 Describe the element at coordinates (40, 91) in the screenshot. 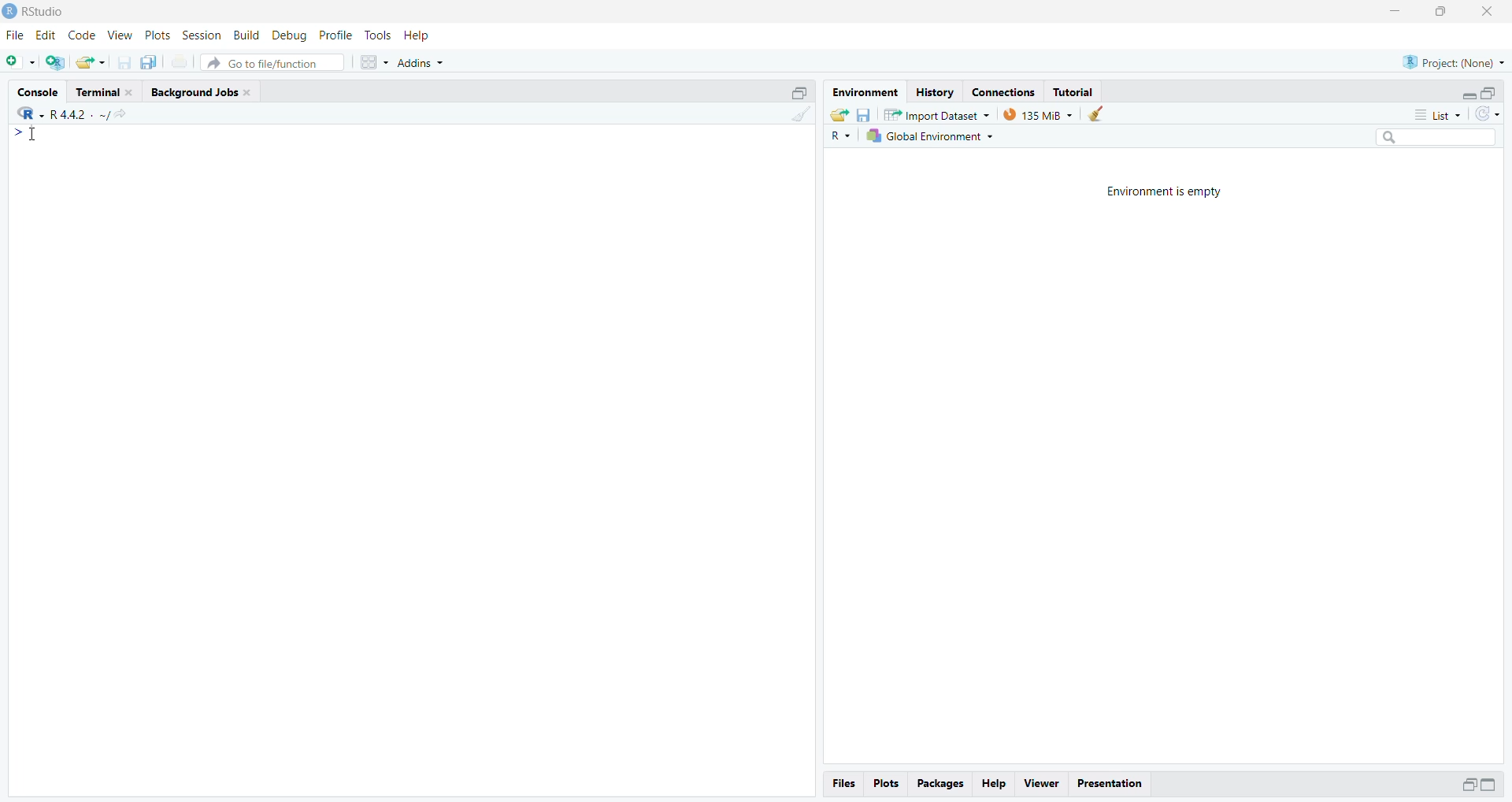

I see `Console` at that location.